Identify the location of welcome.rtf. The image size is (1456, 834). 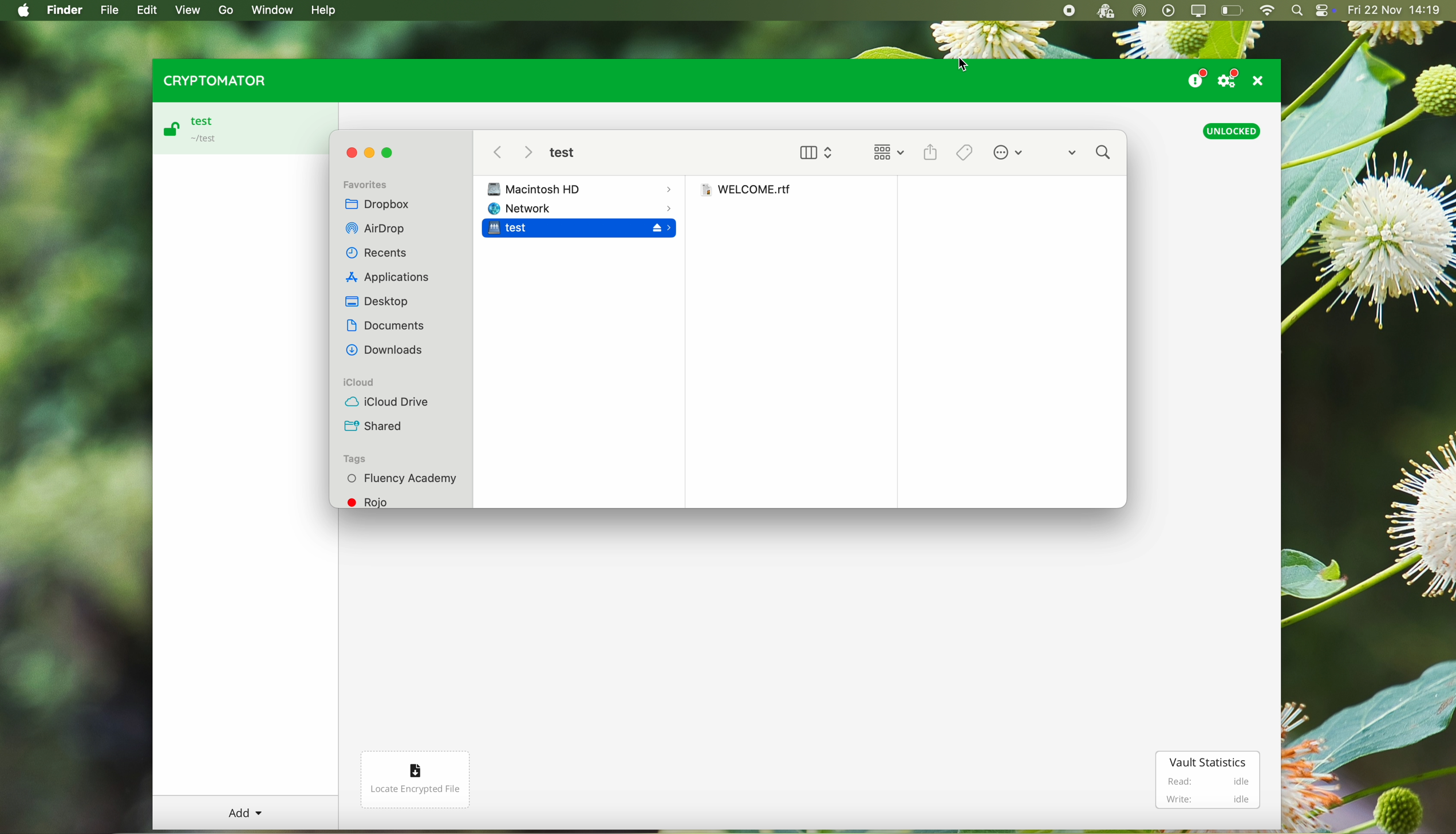
(745, 190).